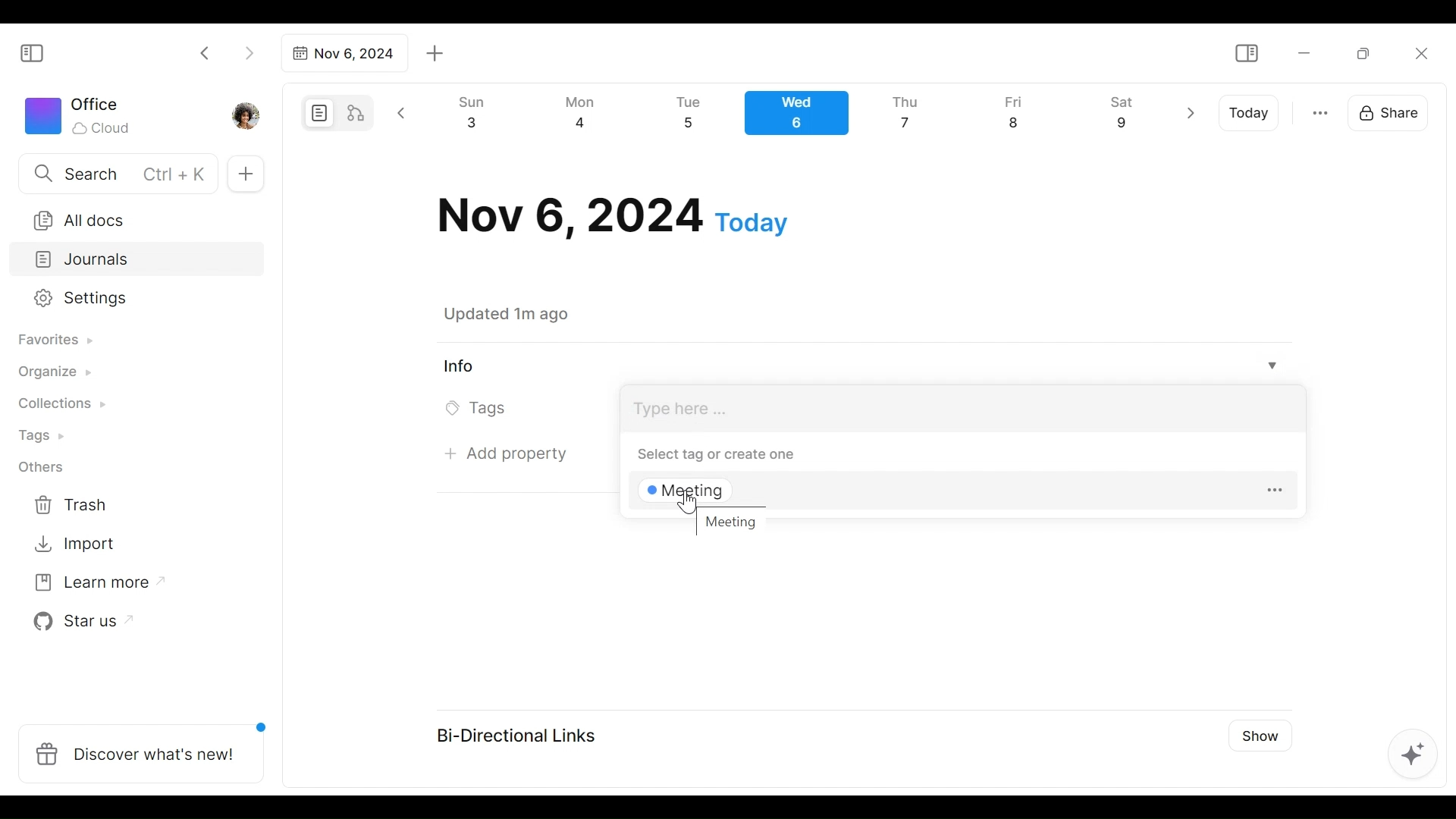  Describe the element at coordinates (357, 112) in the screenshot. I see `Edgeless mode` at that location.